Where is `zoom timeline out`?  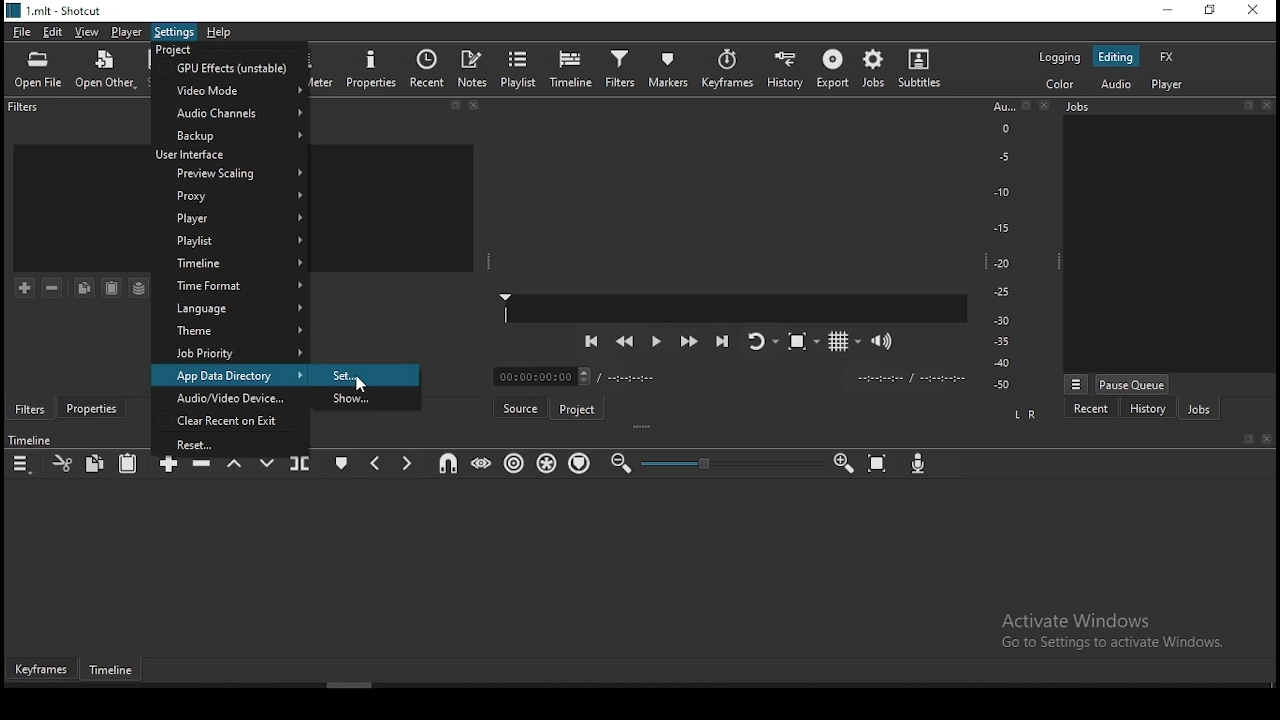 zoom timeline out is located at coordinates (621, 462).